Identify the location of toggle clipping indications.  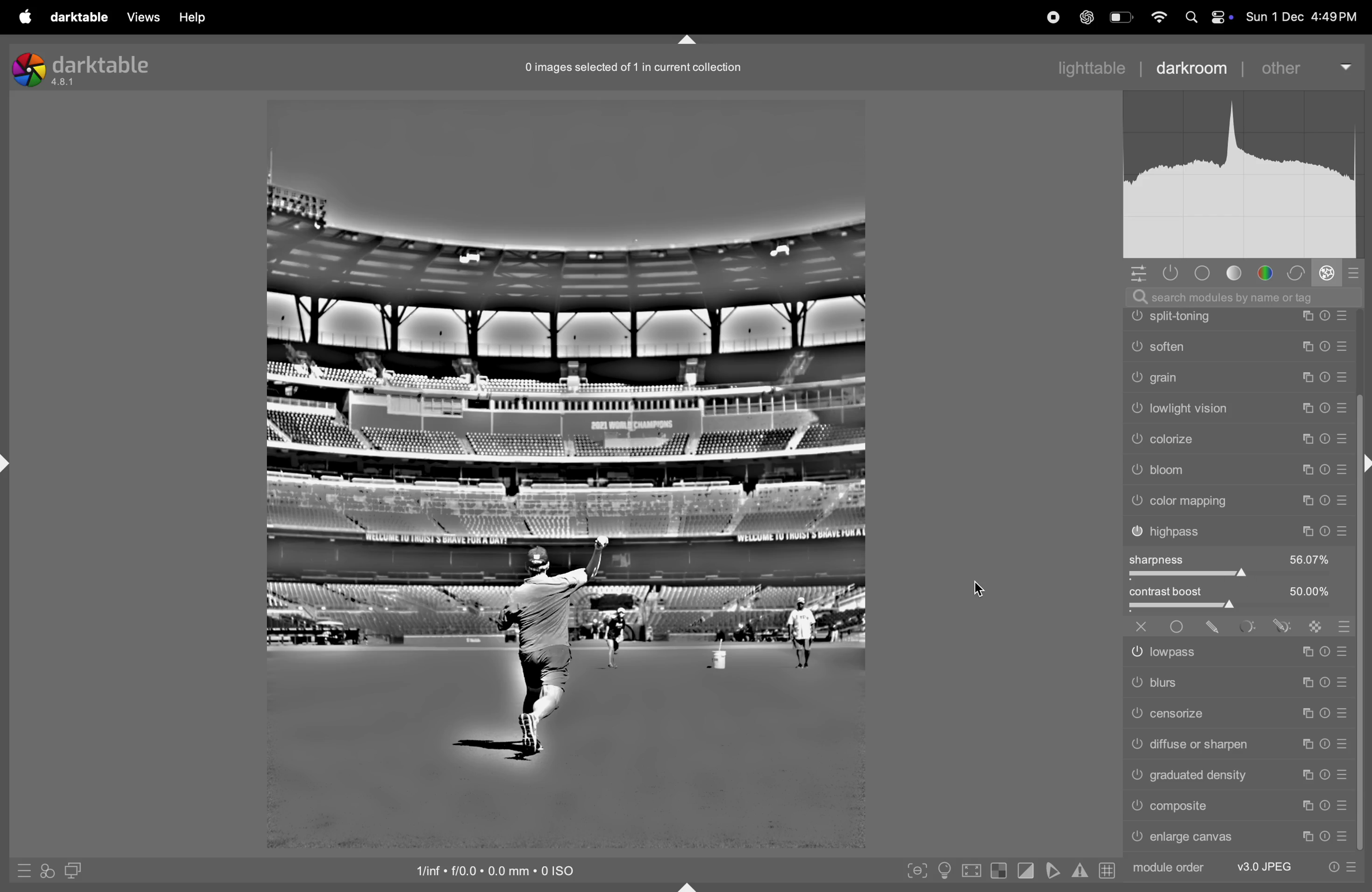
(1025, 872).